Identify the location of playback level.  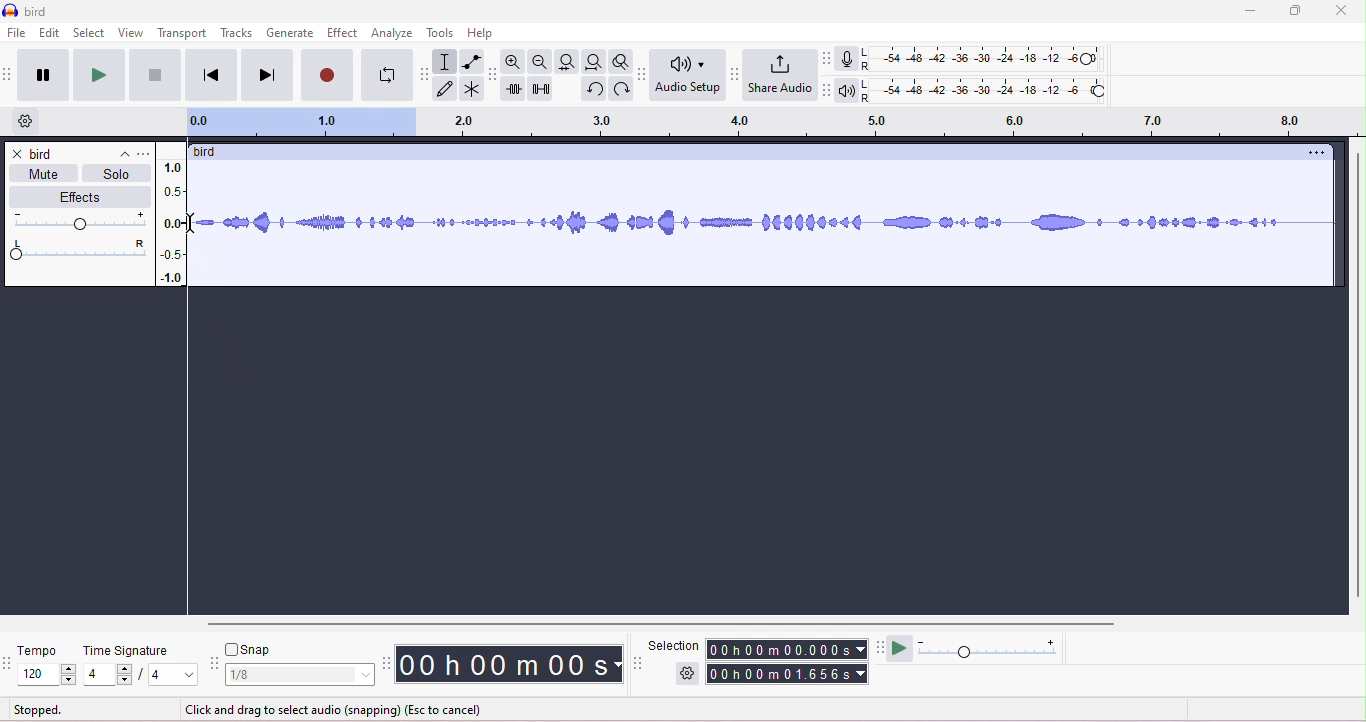
(997, 90).